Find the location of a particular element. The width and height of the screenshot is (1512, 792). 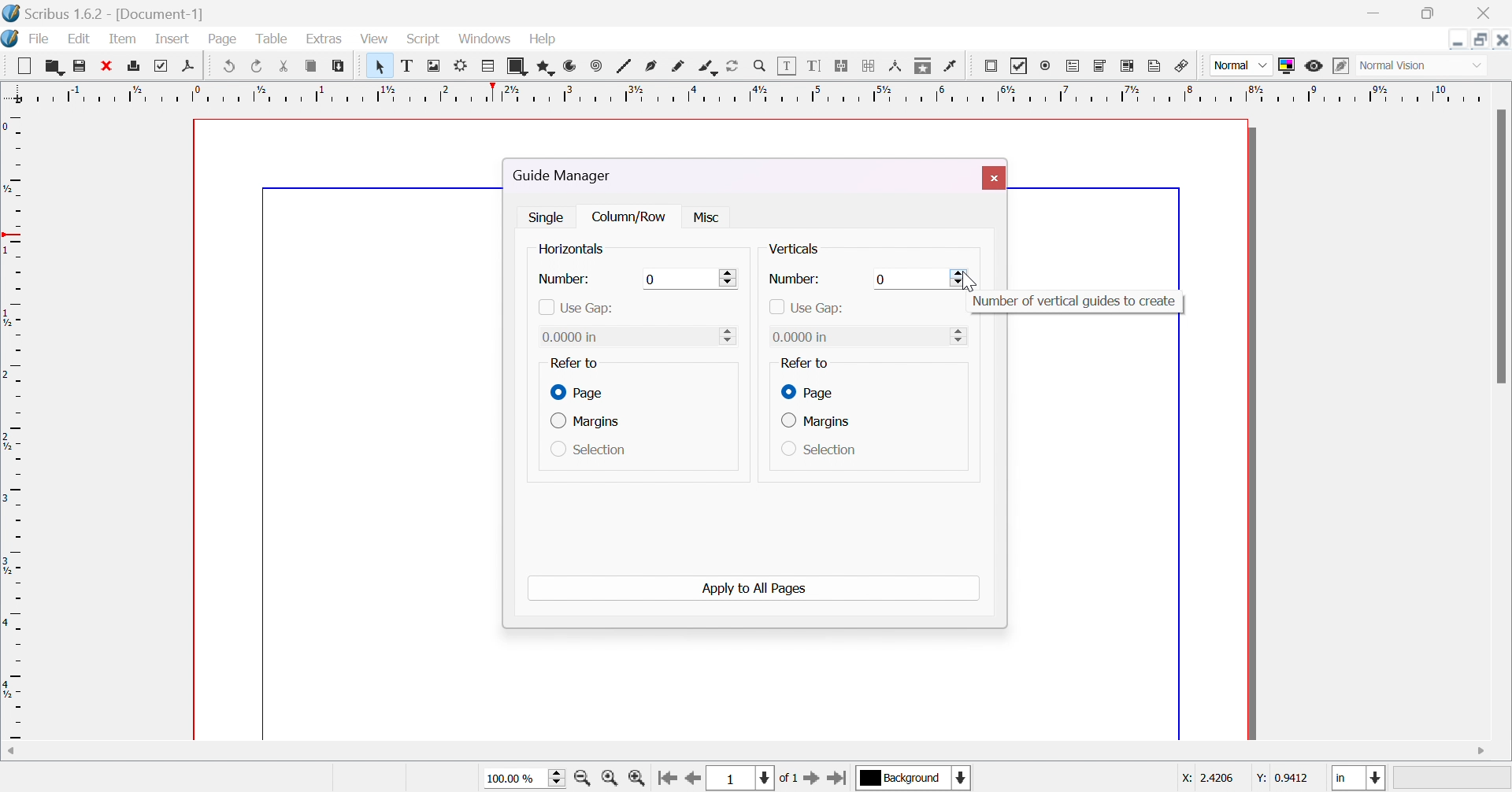

polygon is located at coordinates (548, 65).